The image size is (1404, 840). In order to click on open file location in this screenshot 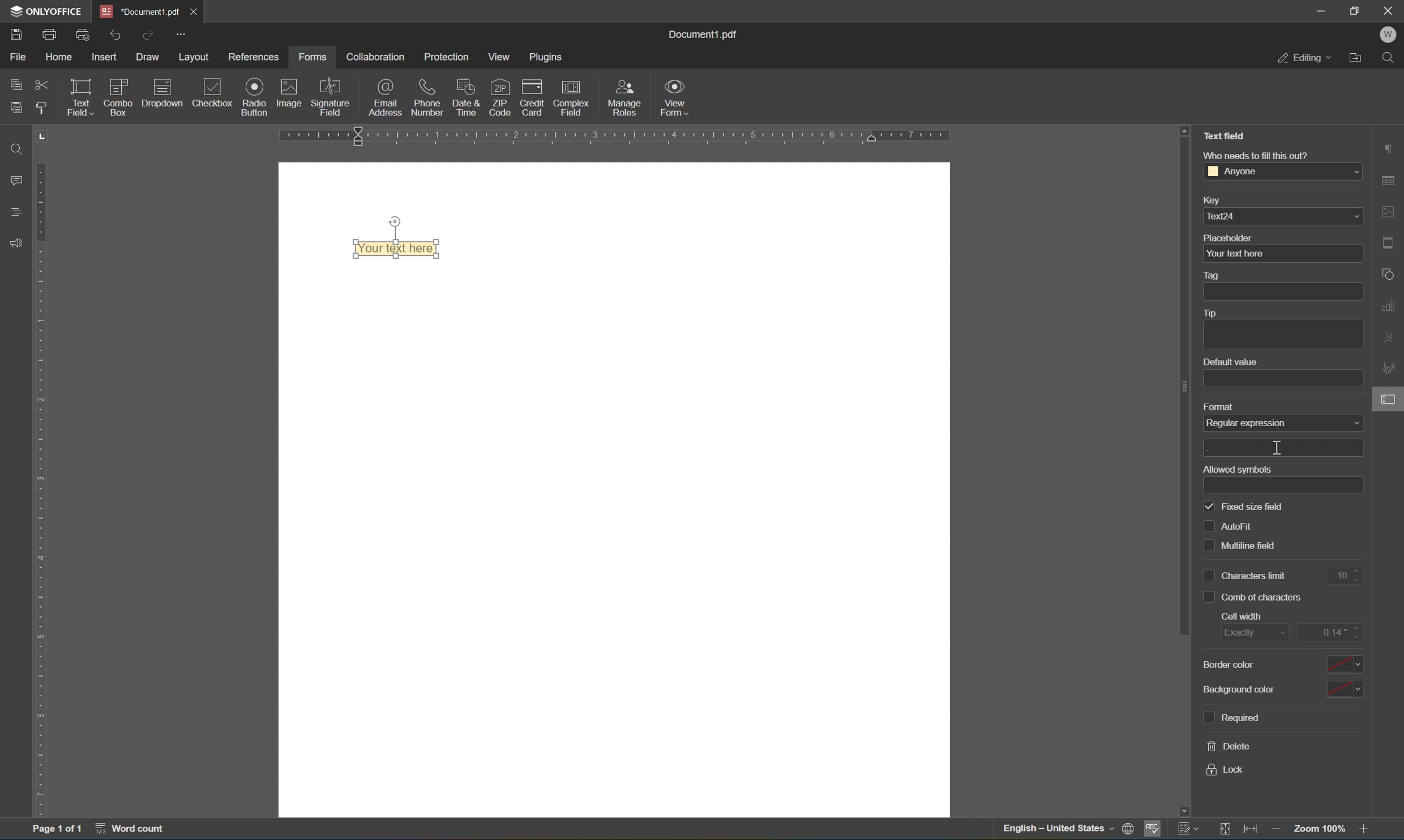, I will do `click(1359, 57)`.